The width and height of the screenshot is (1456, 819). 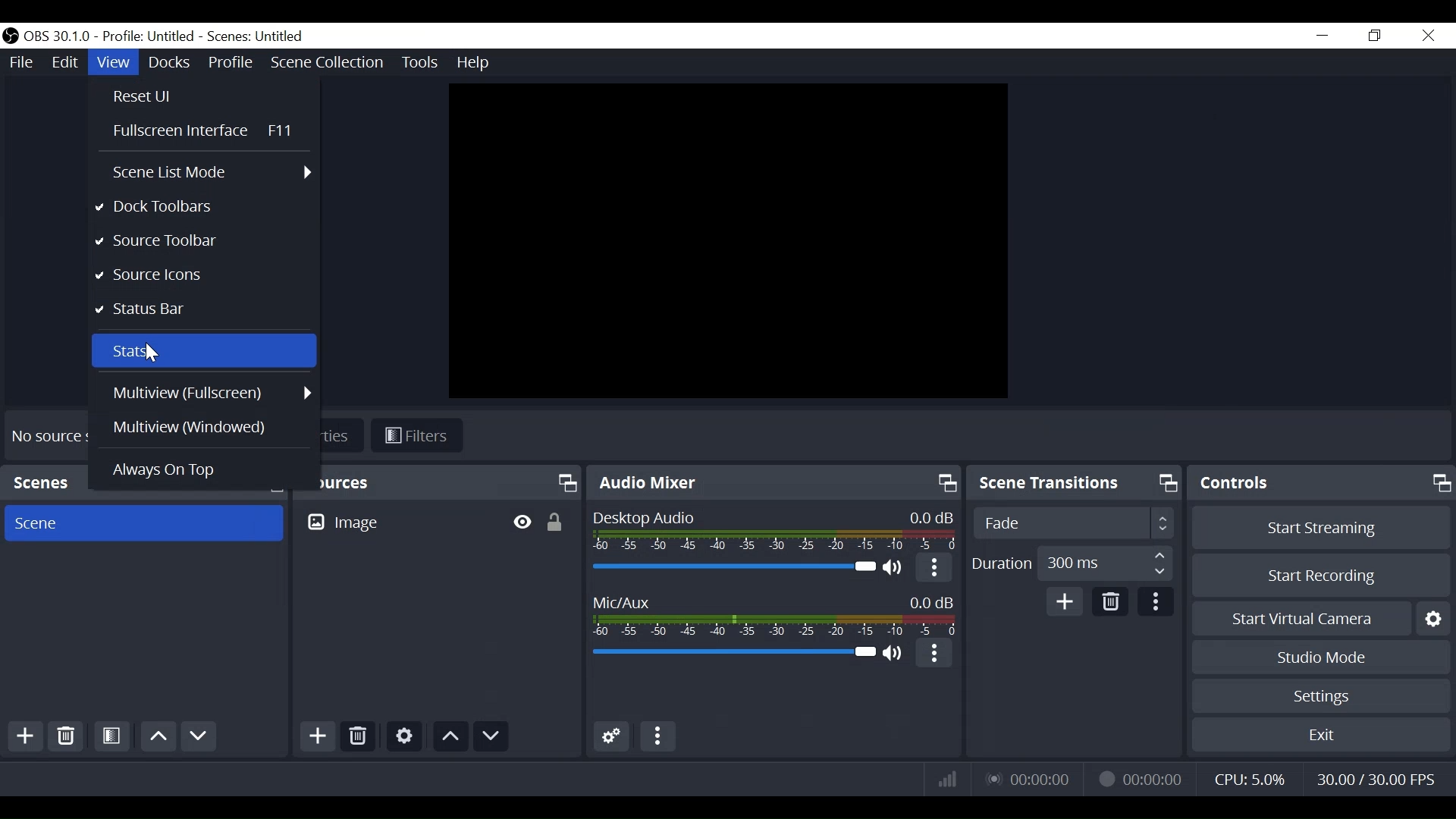 What do you see at coordinates (771, 531) in the screenshot?
I see `Desktop Audio` at bounding box center [771, 531].